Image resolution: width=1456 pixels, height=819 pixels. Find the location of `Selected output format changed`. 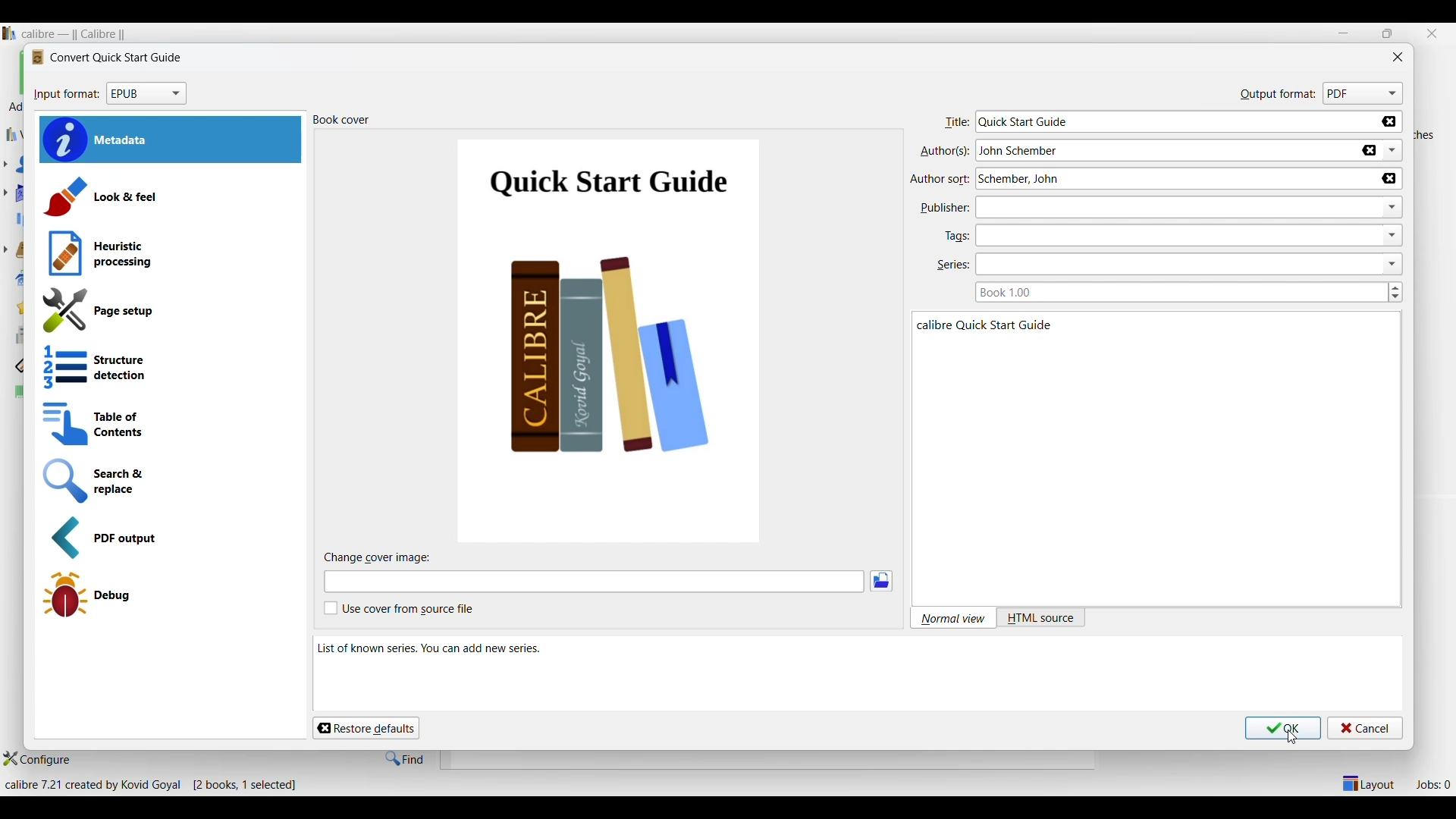

Selected output format changed is located at coordinates (1365, 94).